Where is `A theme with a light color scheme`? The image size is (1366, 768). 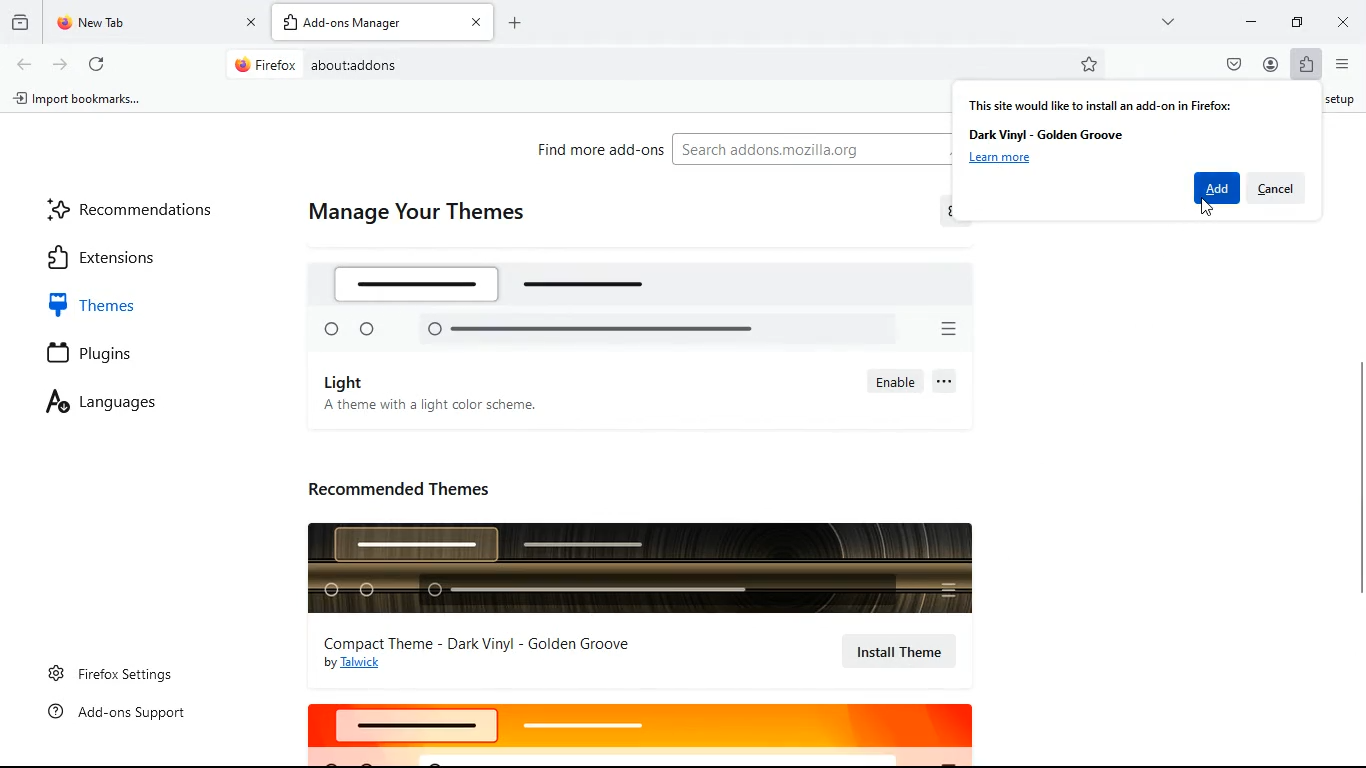 A theme with a light color scheme is located at coordinates (428, 405).